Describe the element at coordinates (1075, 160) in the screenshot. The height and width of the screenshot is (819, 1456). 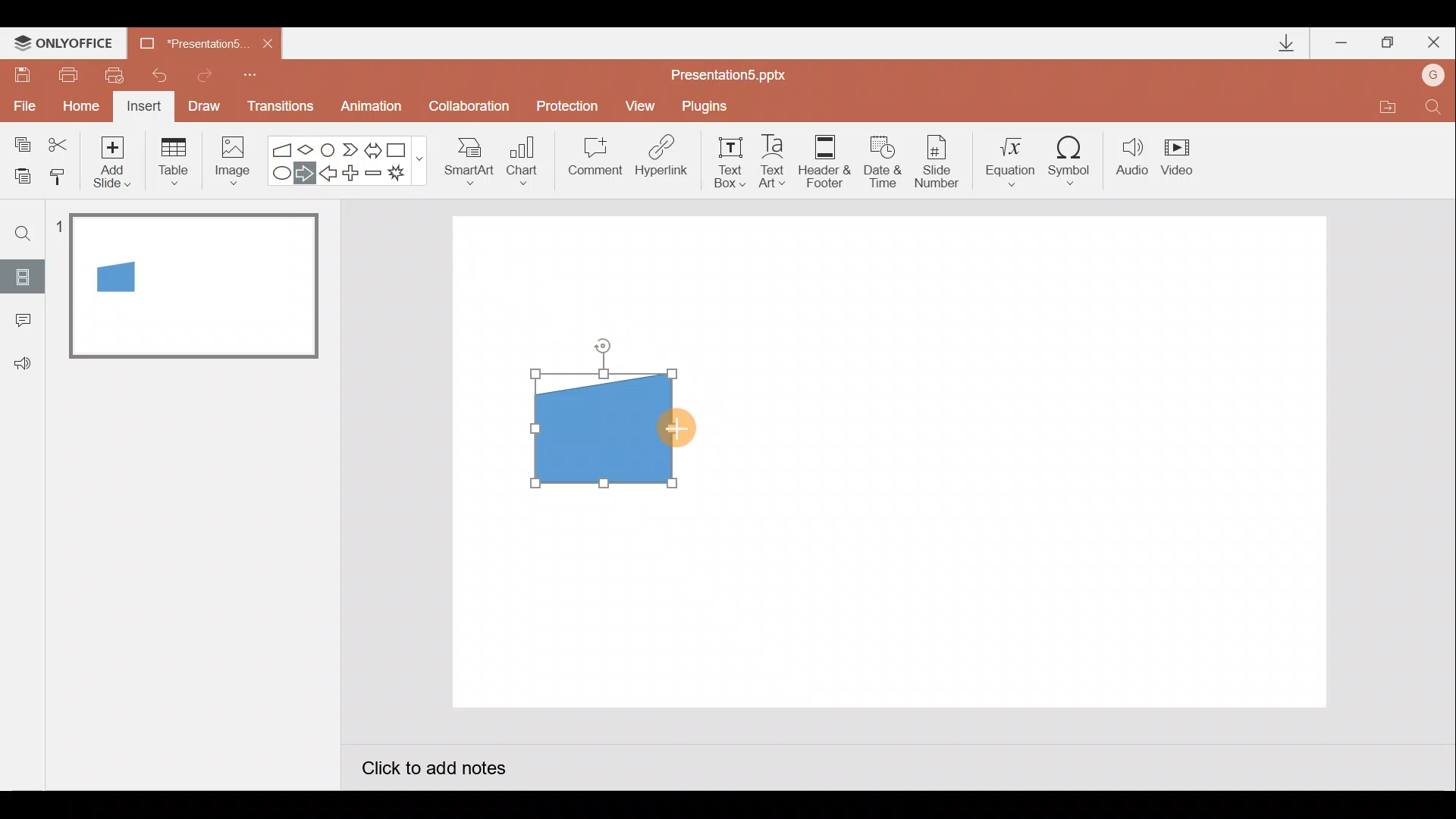
I see `Symbol` at that location.